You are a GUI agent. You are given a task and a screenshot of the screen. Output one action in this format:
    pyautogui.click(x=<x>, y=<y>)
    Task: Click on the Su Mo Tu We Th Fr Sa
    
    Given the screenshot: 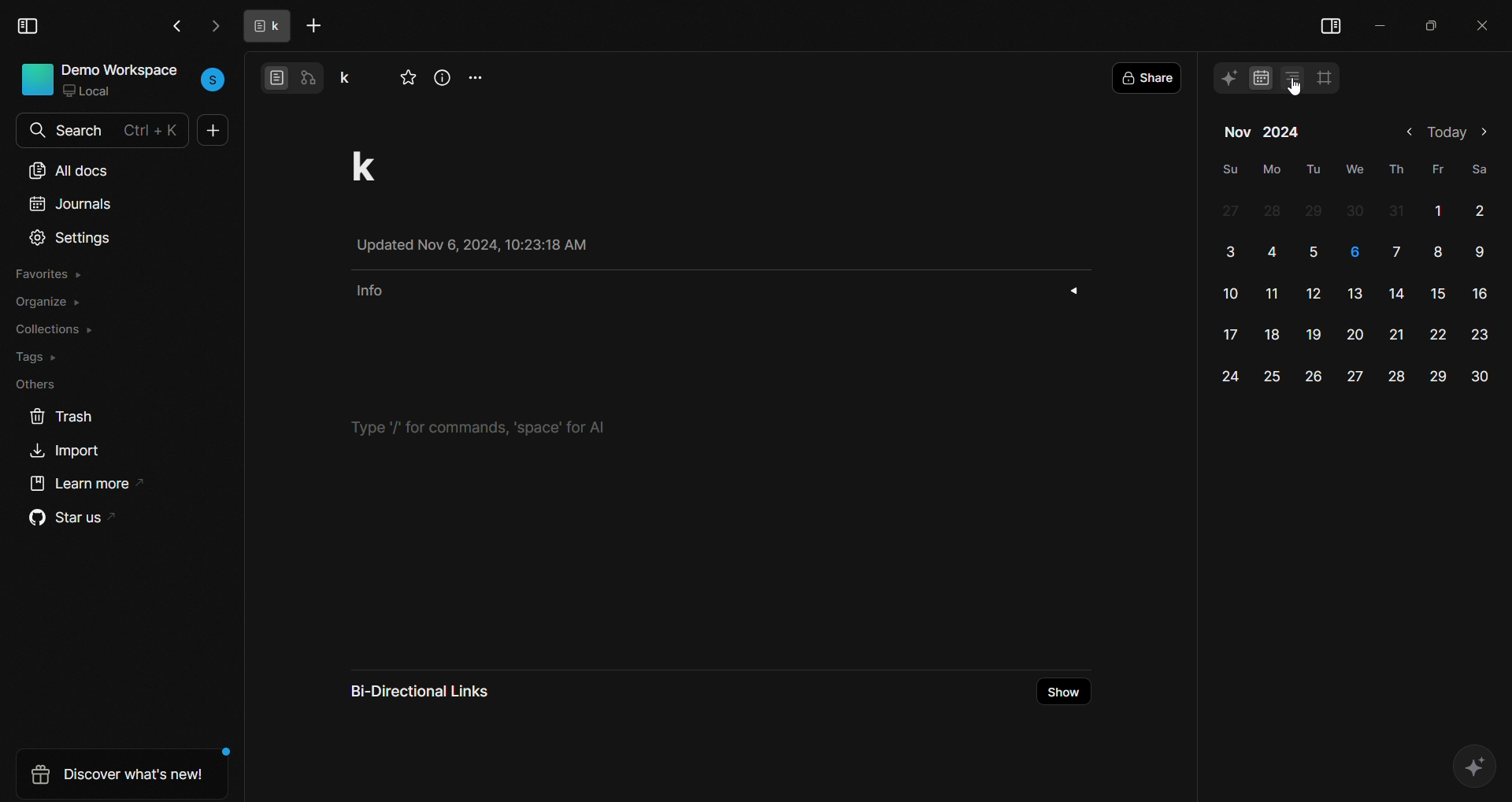 What is the action you would take?
    pyautogui.click(x=1354, y=168)
    